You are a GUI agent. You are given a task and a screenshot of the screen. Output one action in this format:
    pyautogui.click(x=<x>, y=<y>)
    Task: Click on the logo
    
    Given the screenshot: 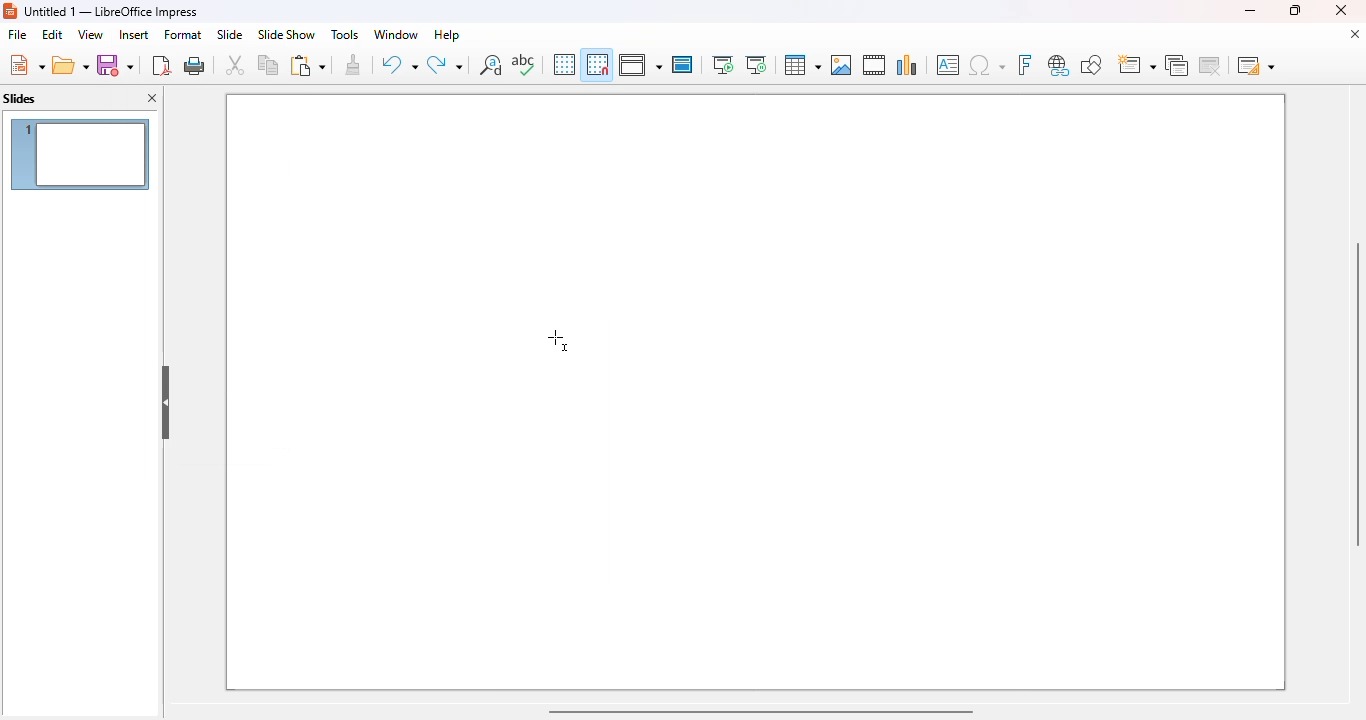 What is the action you would take?
    pyautogui.click(x=10, y=11)
    